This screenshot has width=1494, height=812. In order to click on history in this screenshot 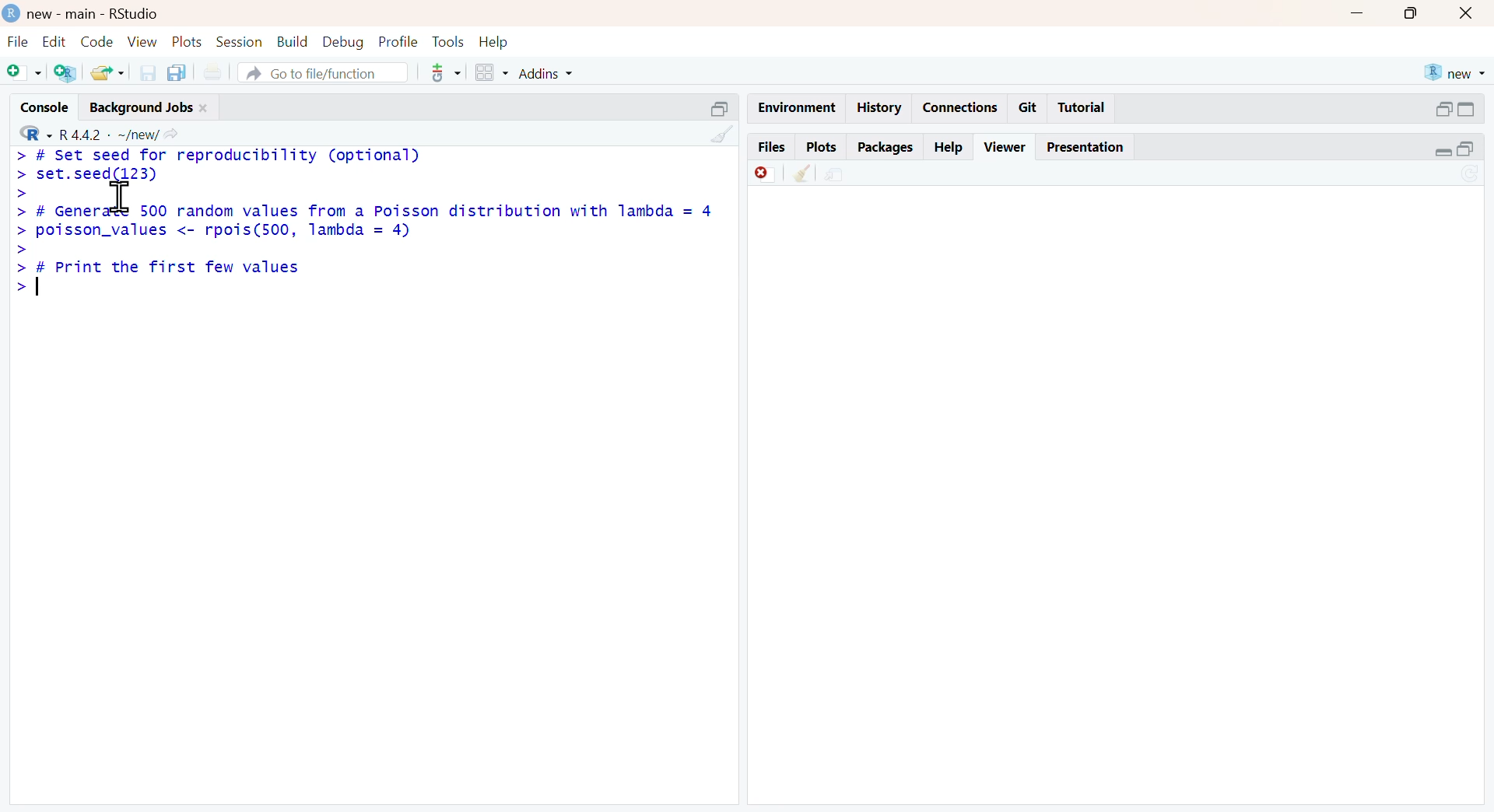, I will do `click(881, 107)`.